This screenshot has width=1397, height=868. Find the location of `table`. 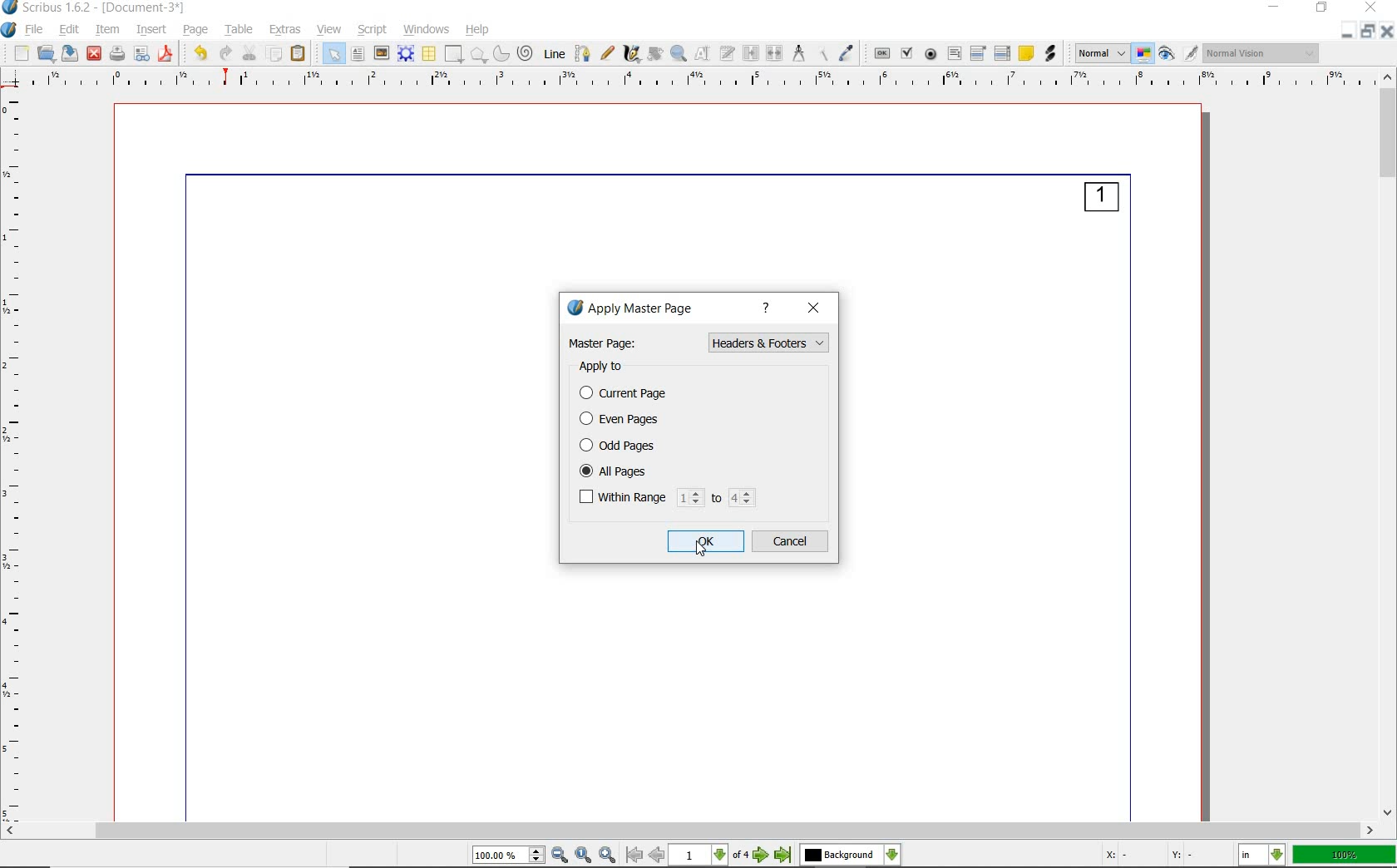

table is located at coordinates (239, 29).